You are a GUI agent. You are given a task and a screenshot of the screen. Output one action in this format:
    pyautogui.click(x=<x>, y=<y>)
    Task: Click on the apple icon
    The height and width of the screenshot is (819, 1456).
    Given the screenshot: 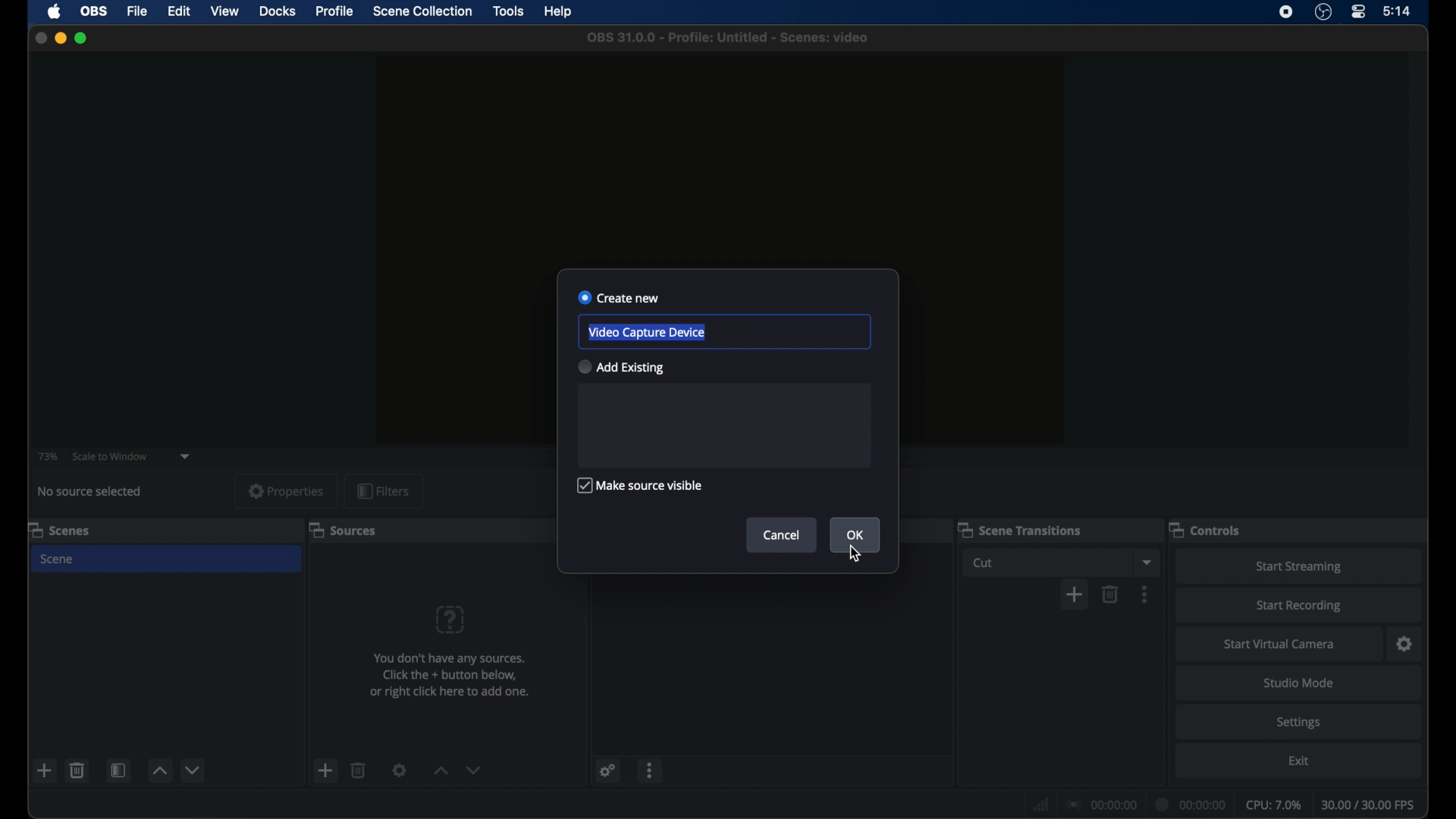 What is the action you would take?
    pyautogui.click(x=55, y=11)
    